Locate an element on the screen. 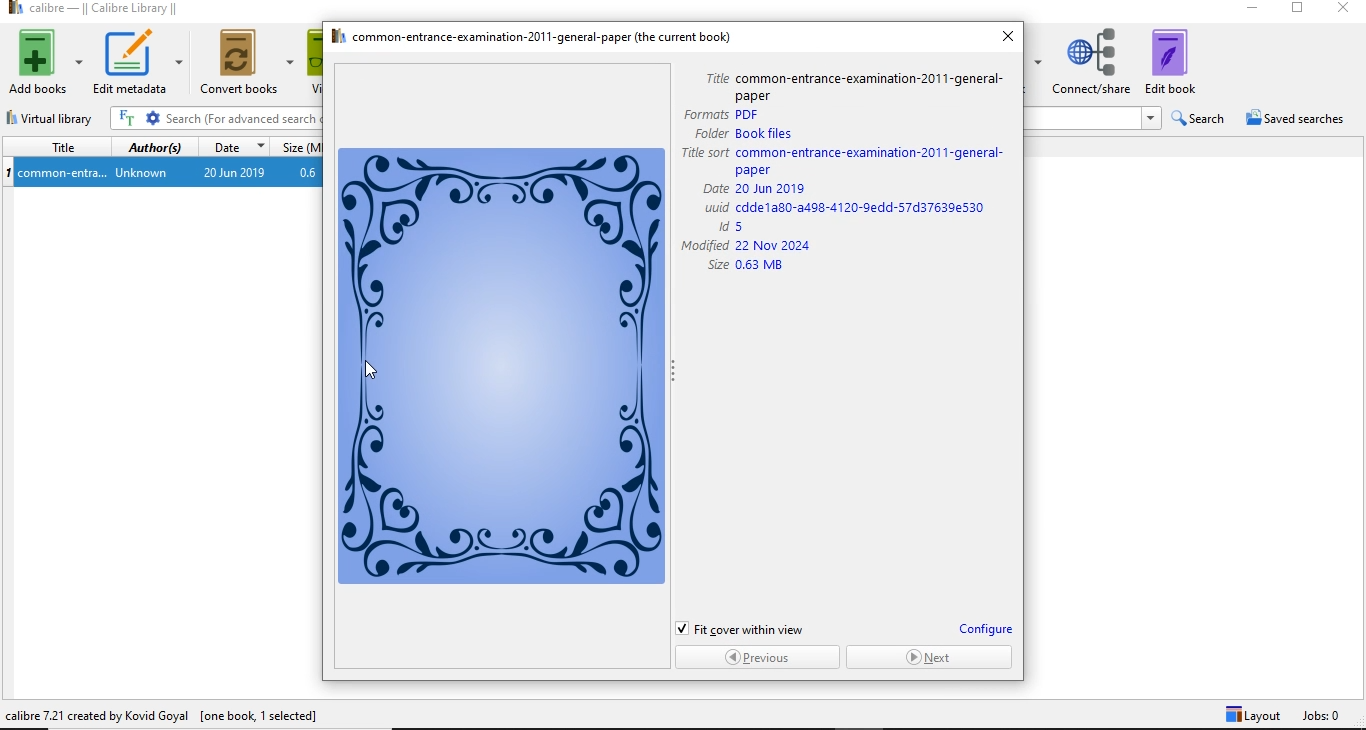 The height and width of the screenshot is (730, 1366). 0.6 is located at coordinates (311, 173).